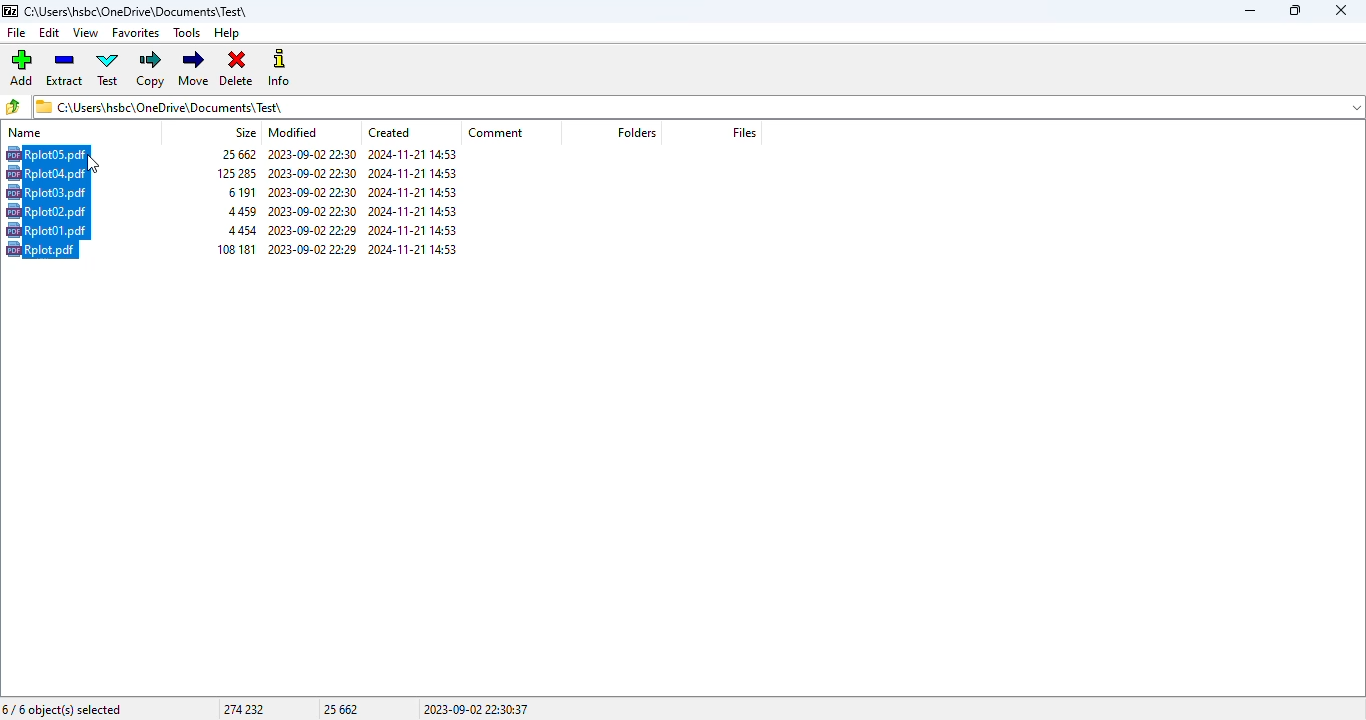 This screenshot has width=1366, height=720. Describe the element at coordinates (63, 710) in the screenshot. I see `6/6 object(s) selected` at that location.